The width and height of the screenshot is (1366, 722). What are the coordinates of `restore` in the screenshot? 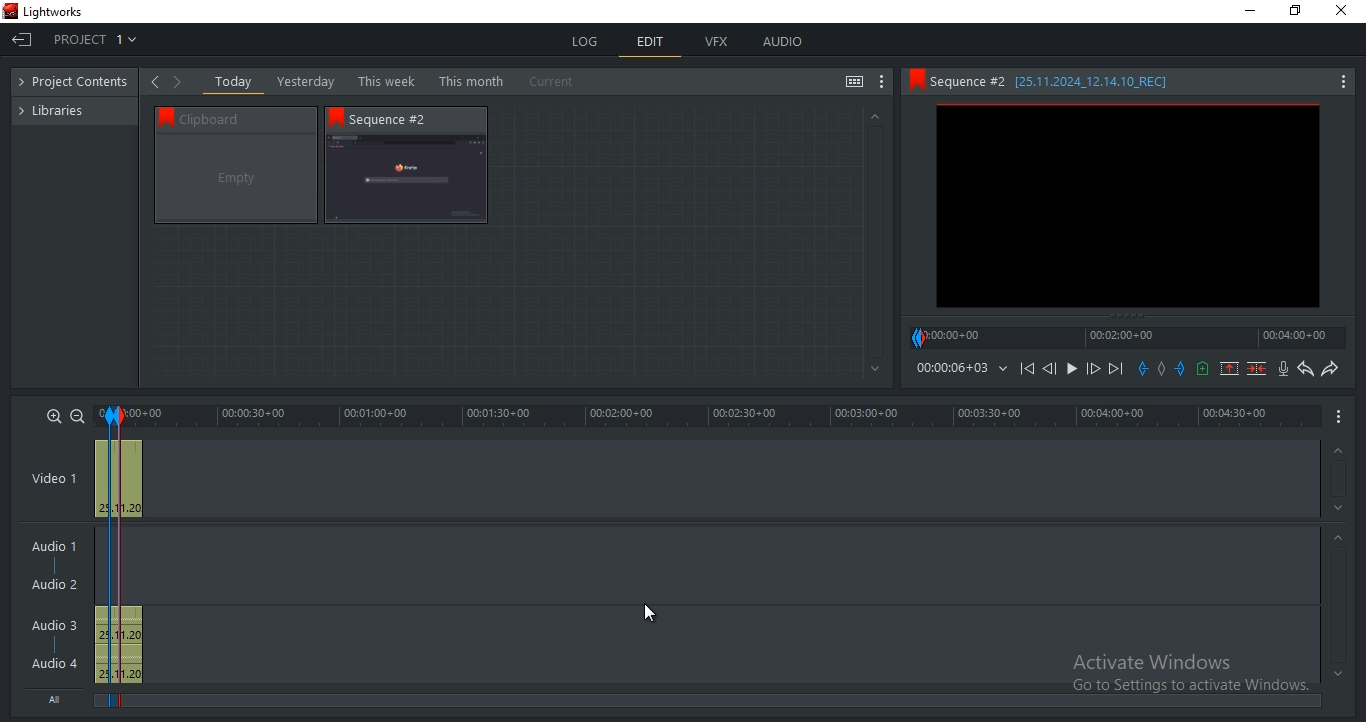 It's located at (1295, 12).